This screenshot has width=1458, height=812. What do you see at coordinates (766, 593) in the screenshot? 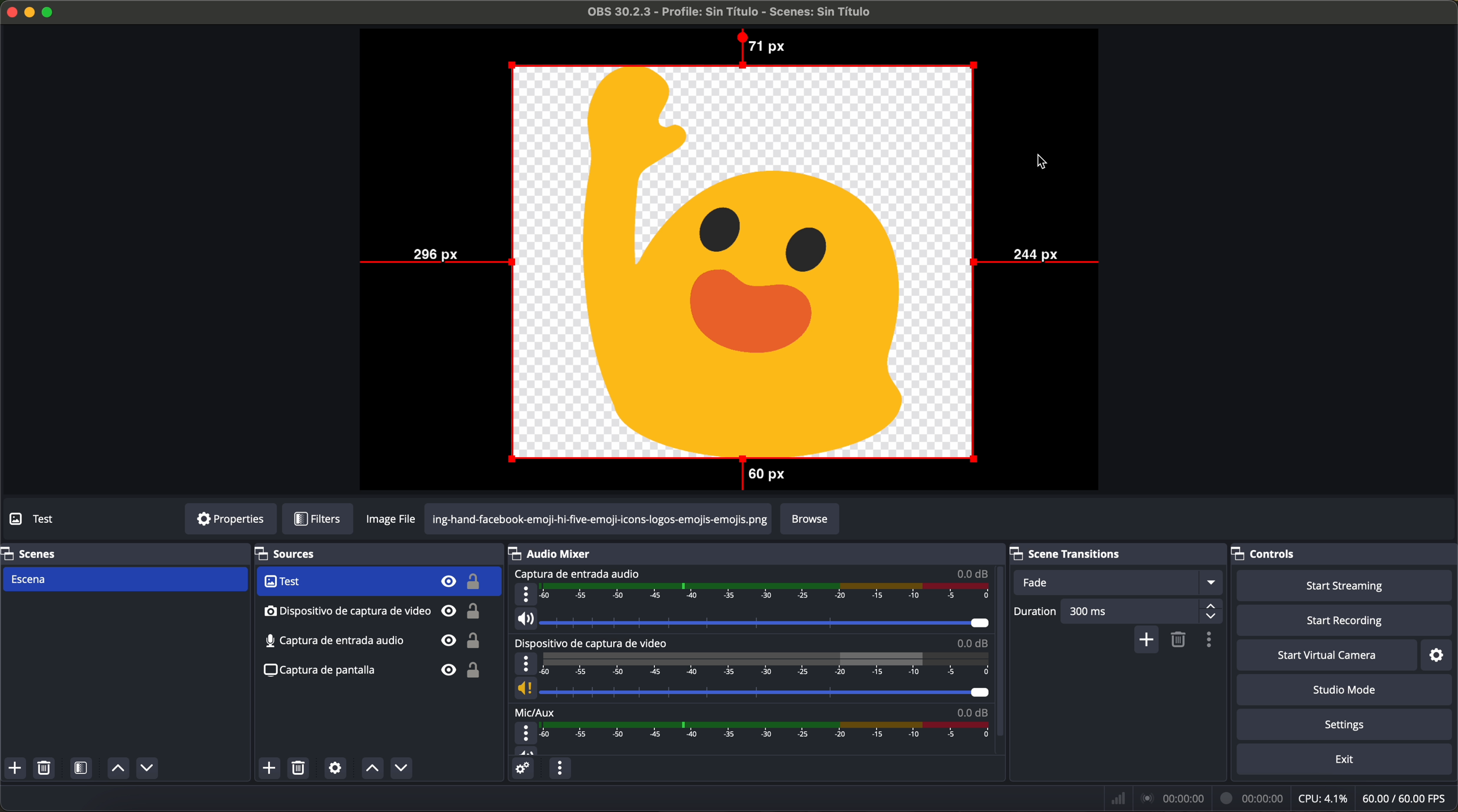
I see `timeline` at bounding box center [766, 593].